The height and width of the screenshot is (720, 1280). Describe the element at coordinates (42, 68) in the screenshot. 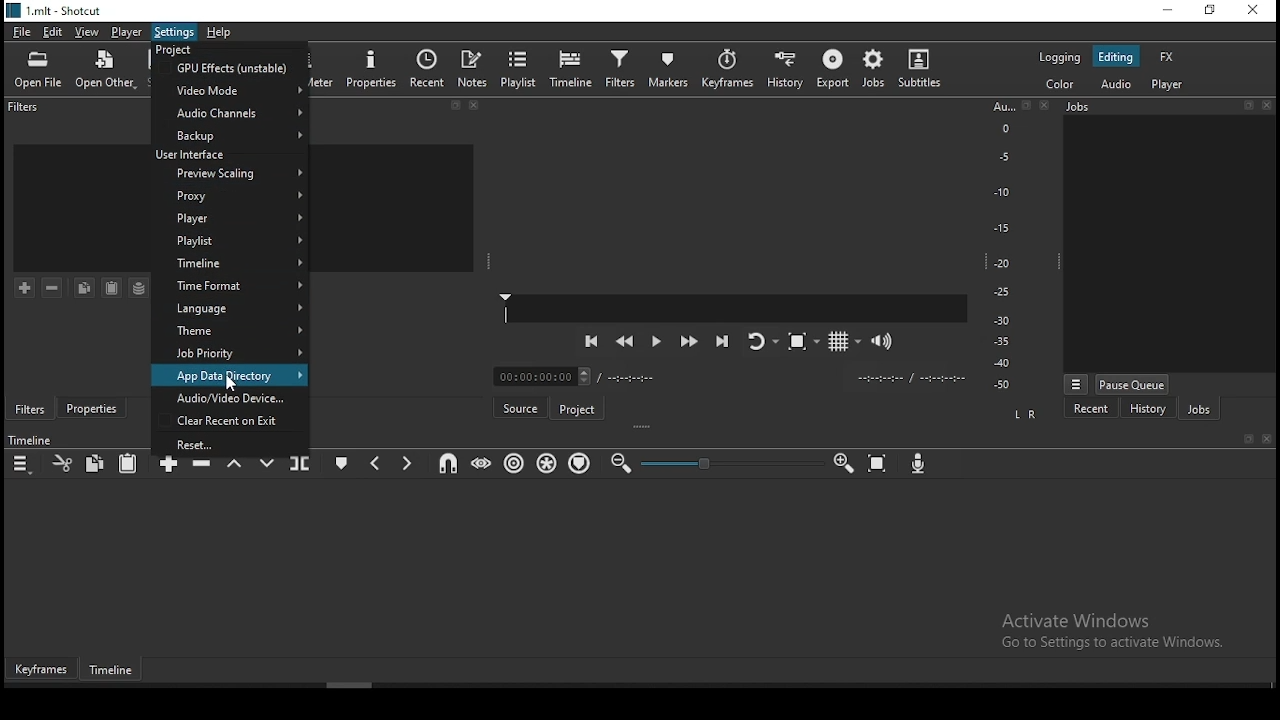

I see `open file` at that location.